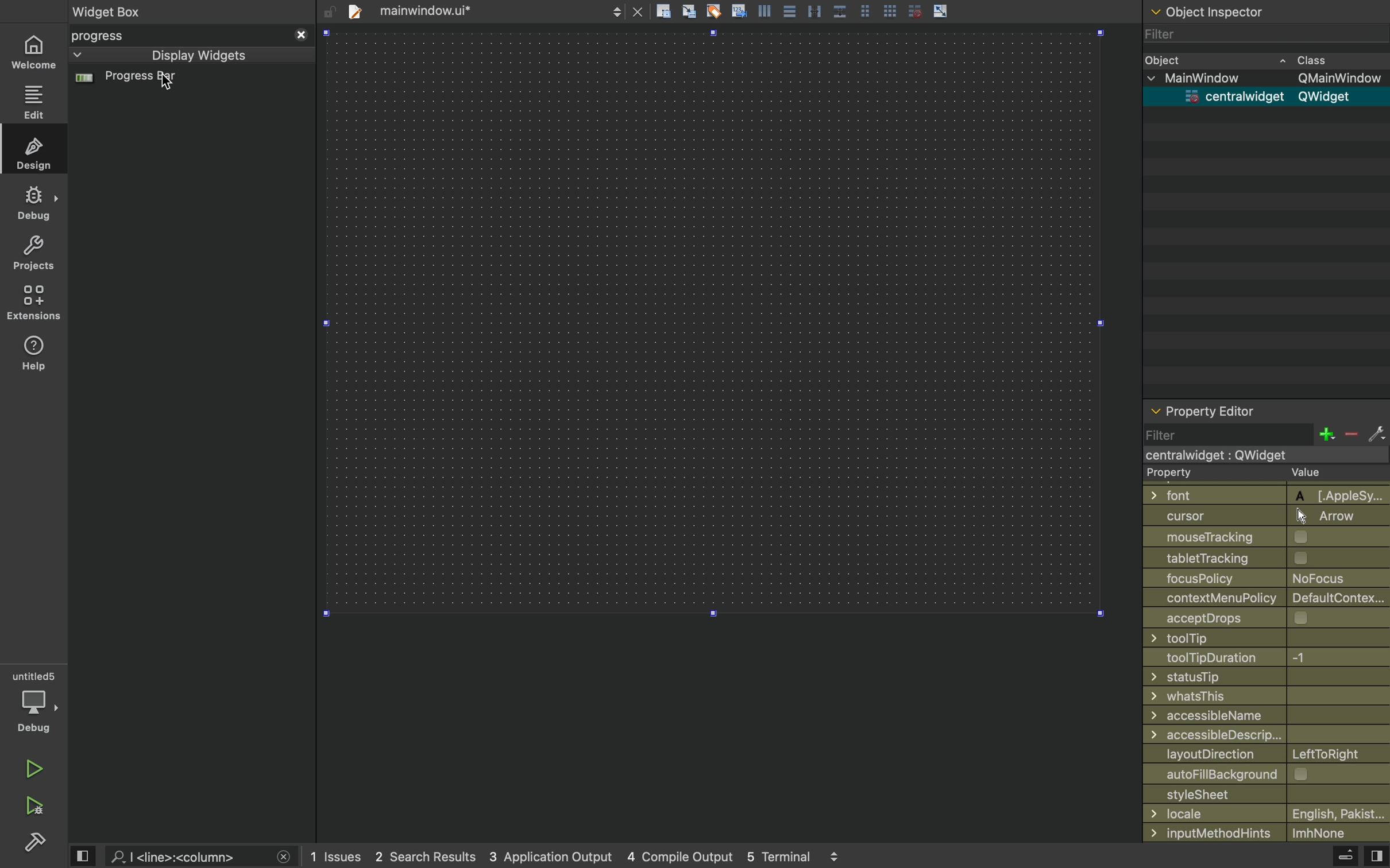 This screenshot has height=868, width=1390. Describe the element at coordinates (1262, 34) in the screenshot. I see `filter` at that location.